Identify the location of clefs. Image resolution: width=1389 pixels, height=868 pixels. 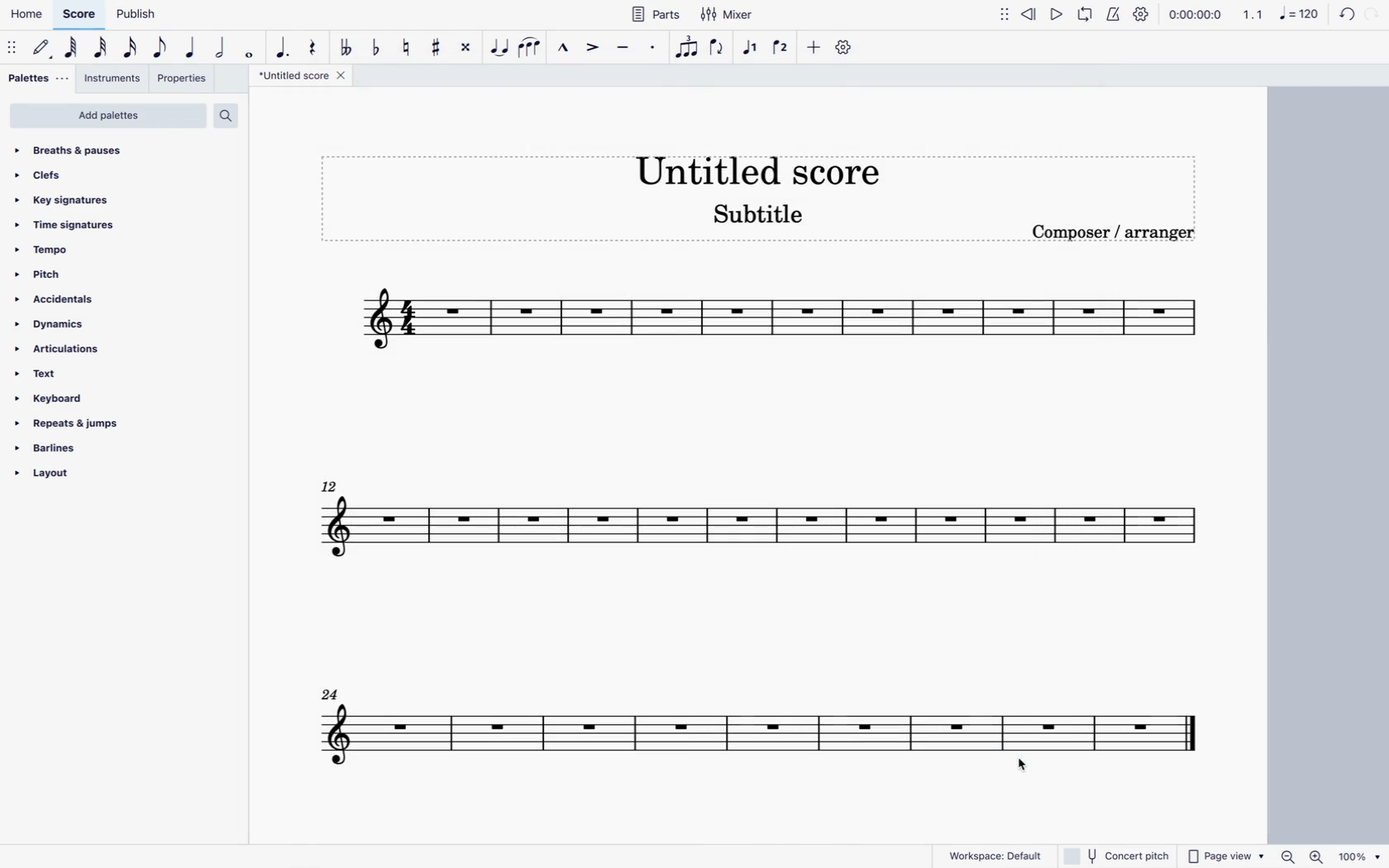
(47, 176).